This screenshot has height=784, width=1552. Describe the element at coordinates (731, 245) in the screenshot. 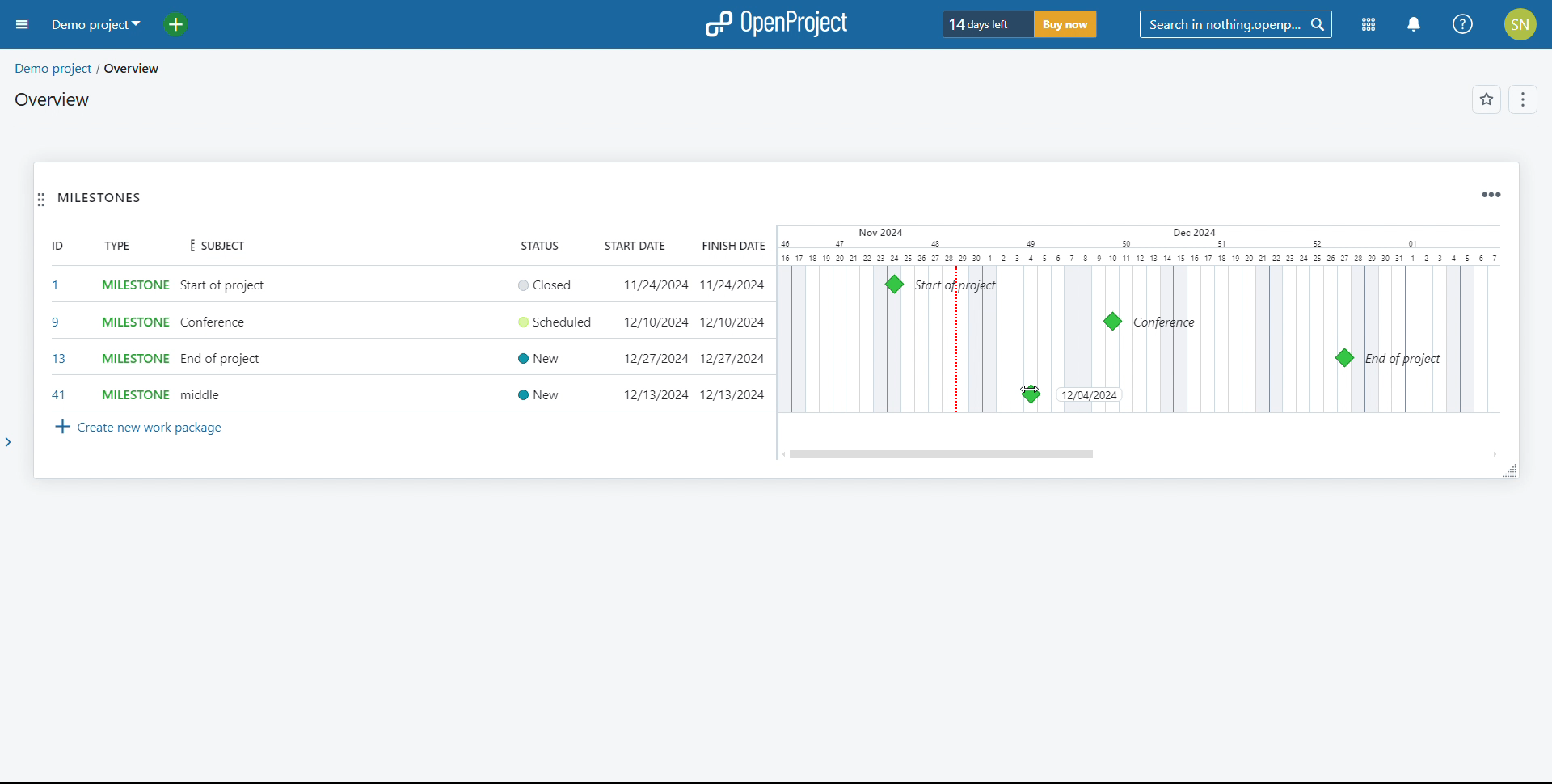

I see `finish date` at that location.